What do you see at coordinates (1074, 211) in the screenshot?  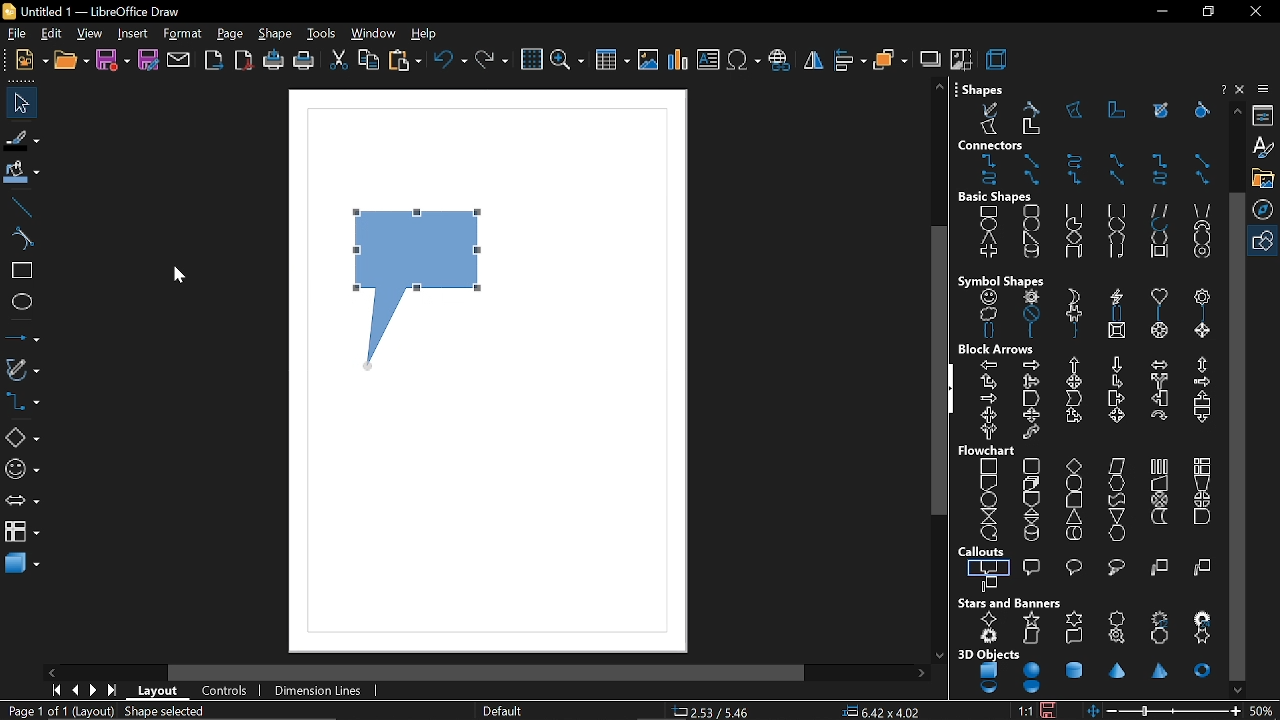 I see `square` at bounding box center [1074, 211].